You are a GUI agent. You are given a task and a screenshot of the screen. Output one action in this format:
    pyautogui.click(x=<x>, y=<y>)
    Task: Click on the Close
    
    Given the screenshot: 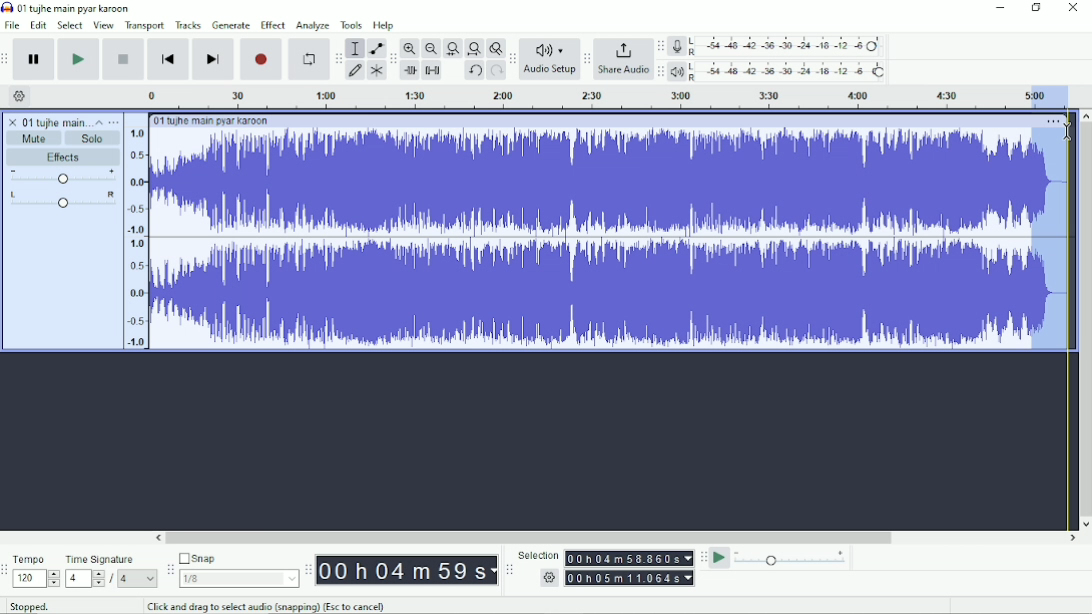 What is the action you would take?
    pyautogui.click(x=1074, y=7)
    